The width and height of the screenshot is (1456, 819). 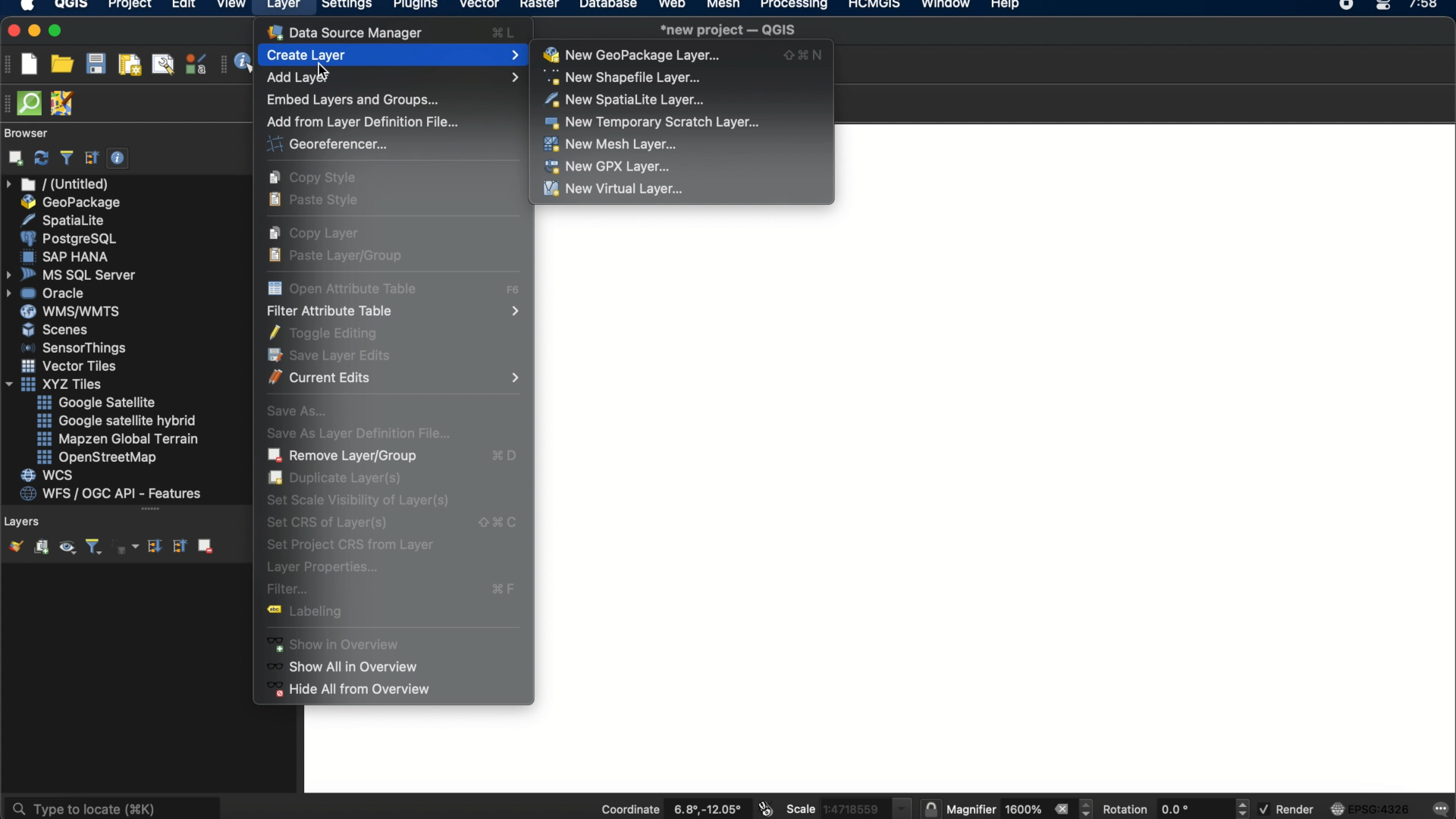 I want to click on more, so click(x=149, y=511).